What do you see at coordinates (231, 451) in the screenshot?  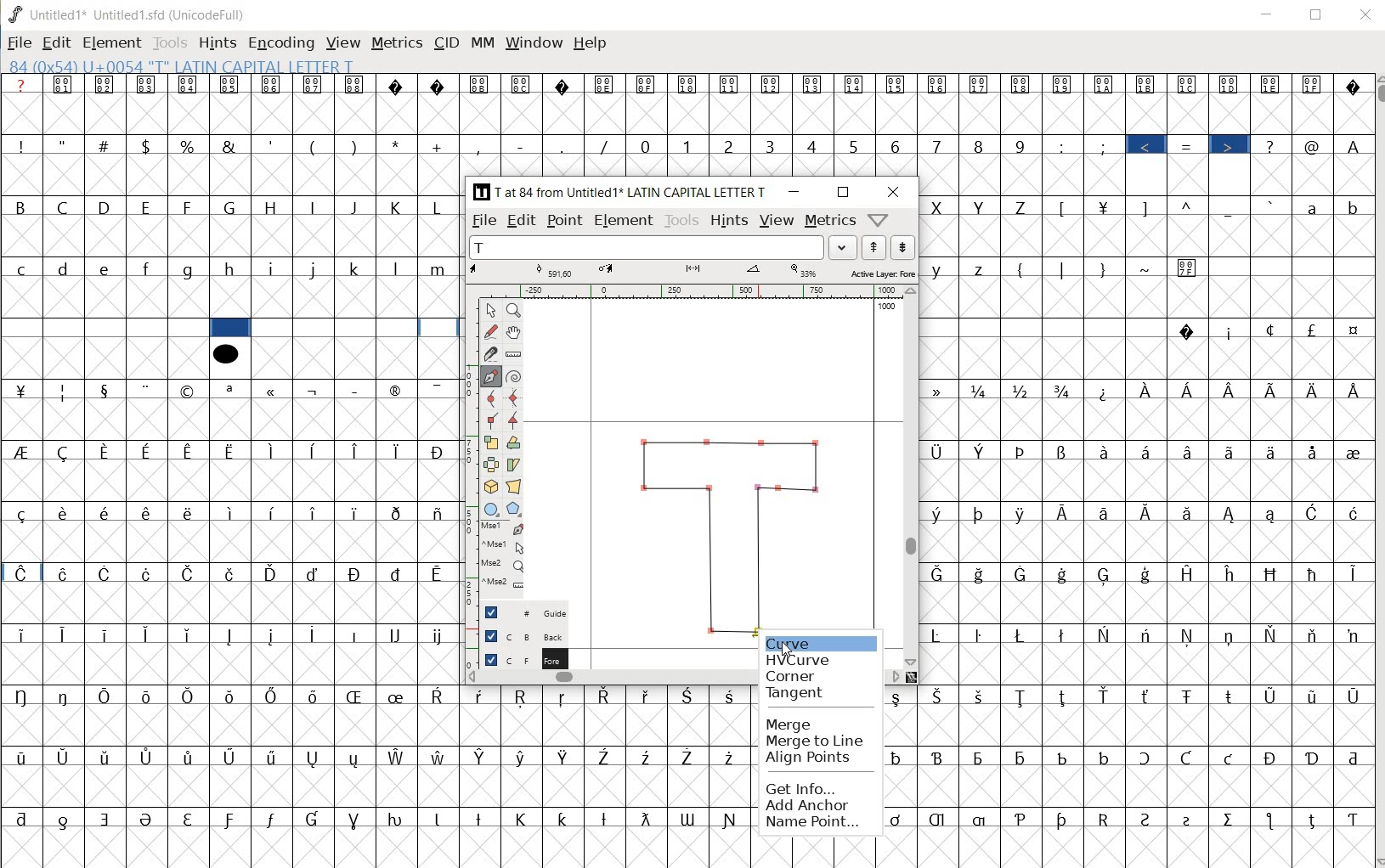 I see `Symbol` at bounding box center [231, 451].